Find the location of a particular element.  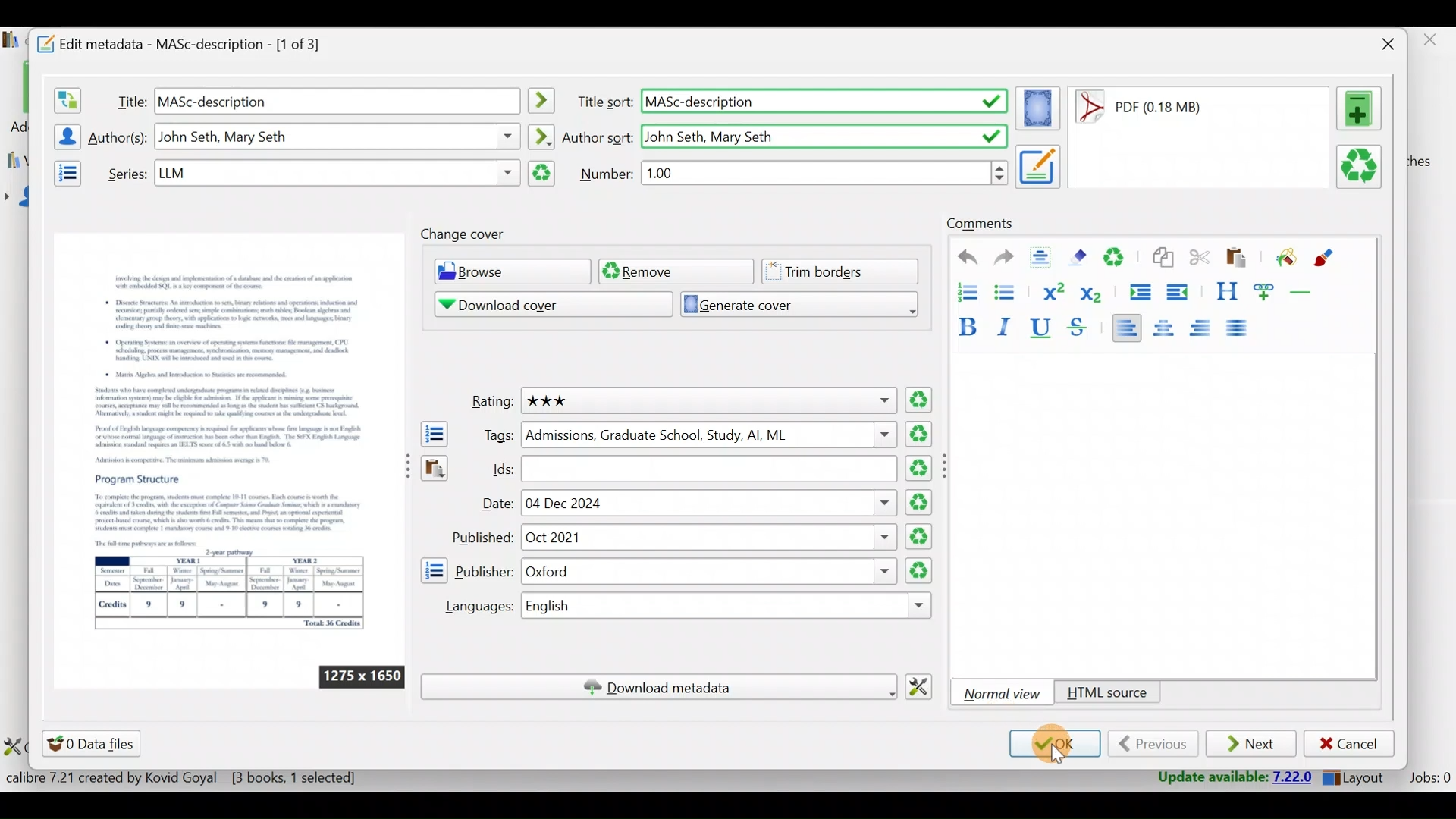

Previous is located at coordinates (1153, 744).